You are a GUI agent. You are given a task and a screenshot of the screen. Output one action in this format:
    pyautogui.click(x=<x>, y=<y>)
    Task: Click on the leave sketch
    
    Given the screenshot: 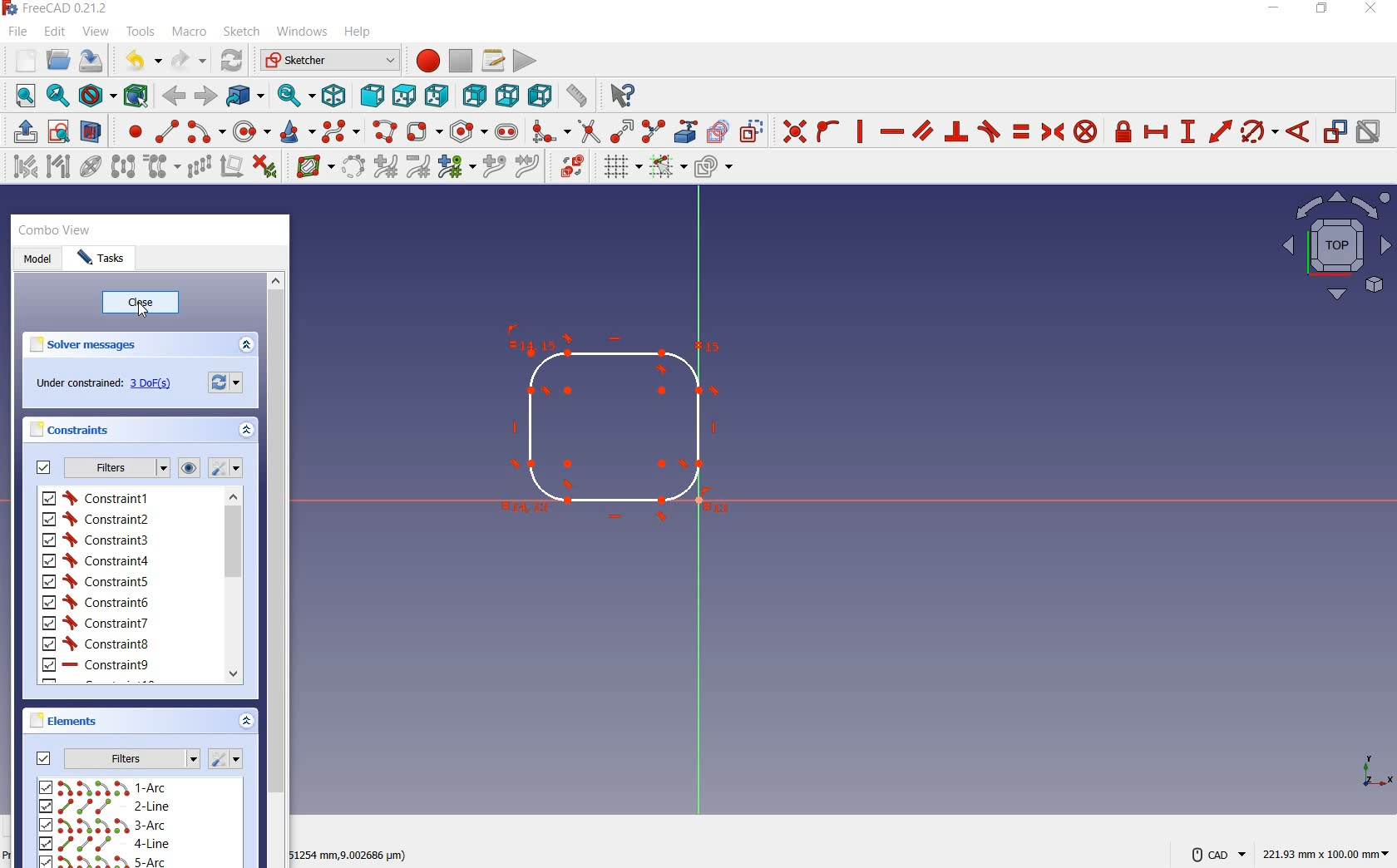 What is the action you would take?
    pyautogui.click(x=23, y=133)
    